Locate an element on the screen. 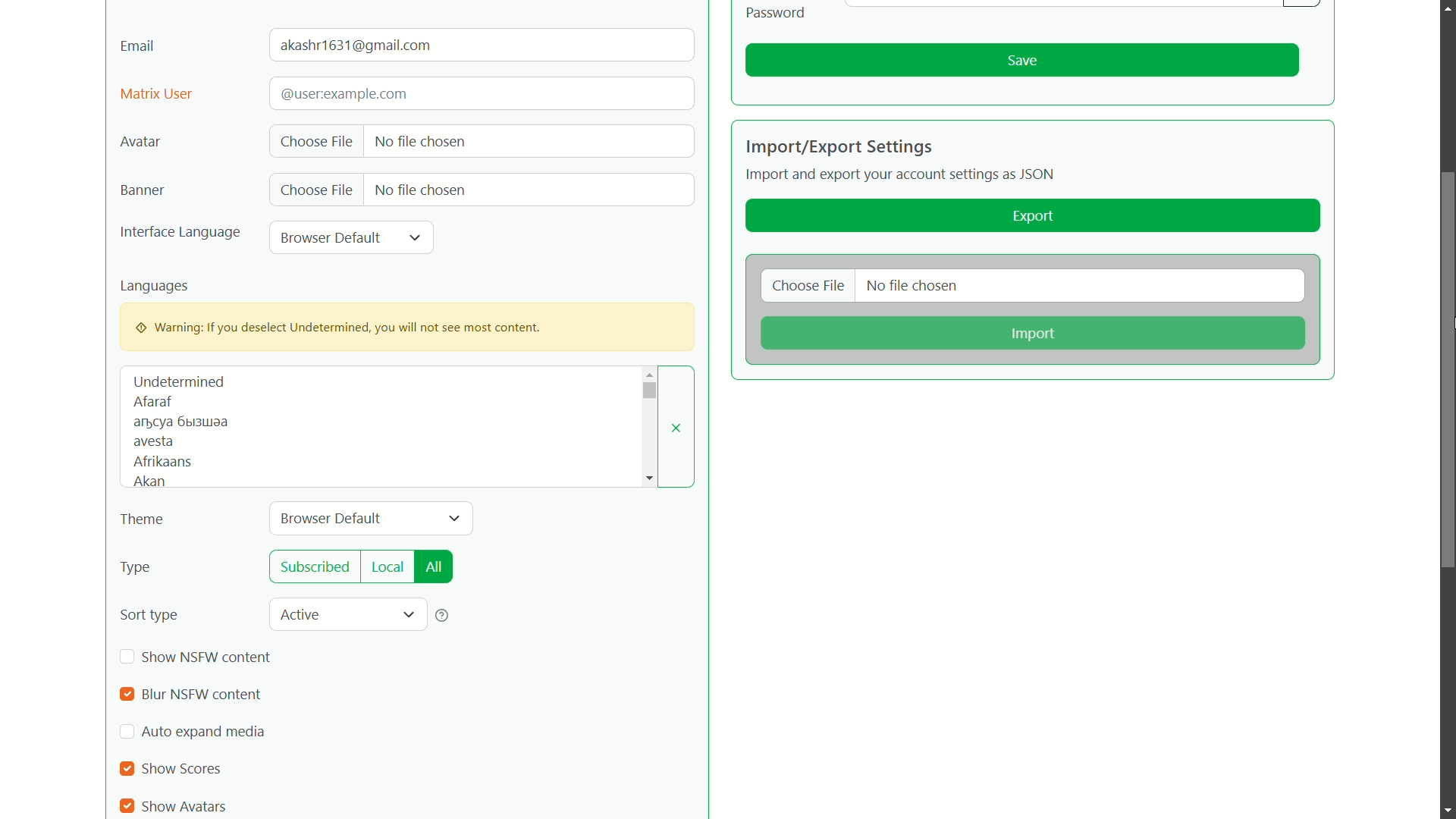 This screenshot has width=1456, height=819. export is located at coordinates (1034, 217).